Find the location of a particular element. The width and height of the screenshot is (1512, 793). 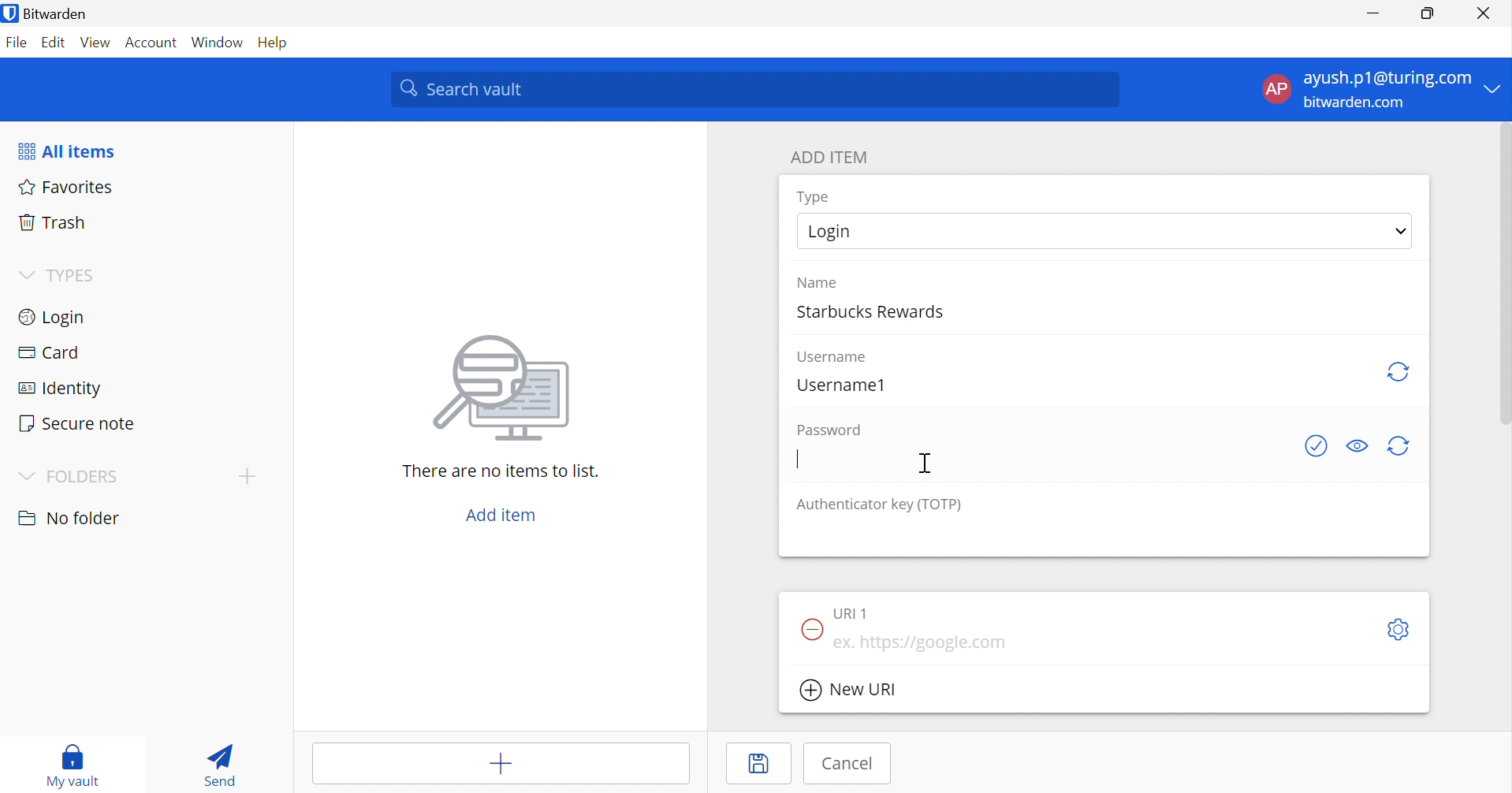

Toggle visibility is located at coordinates (1357, 445).